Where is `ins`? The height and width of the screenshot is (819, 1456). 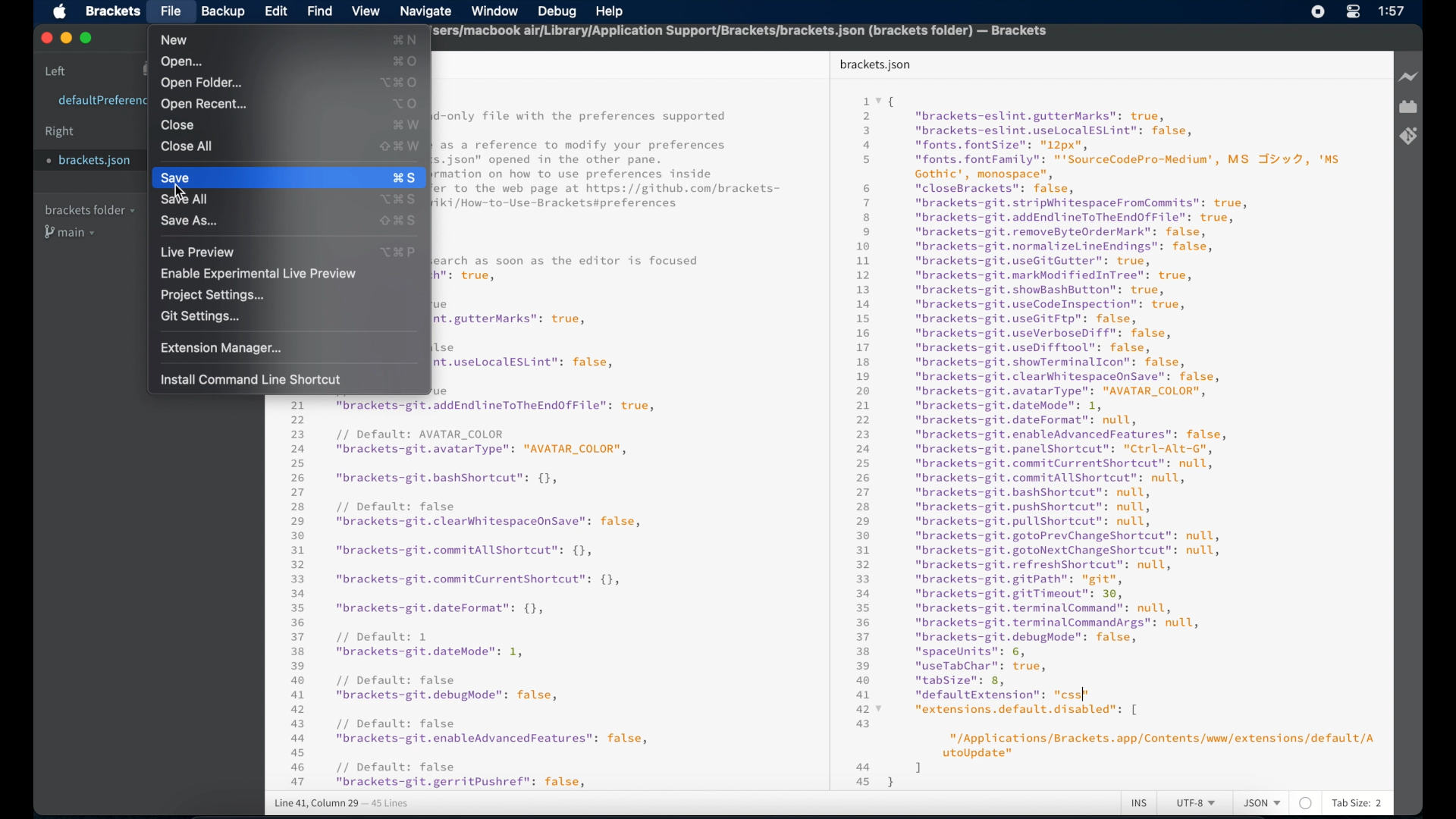 ins is located at coordinates (1140, 804).